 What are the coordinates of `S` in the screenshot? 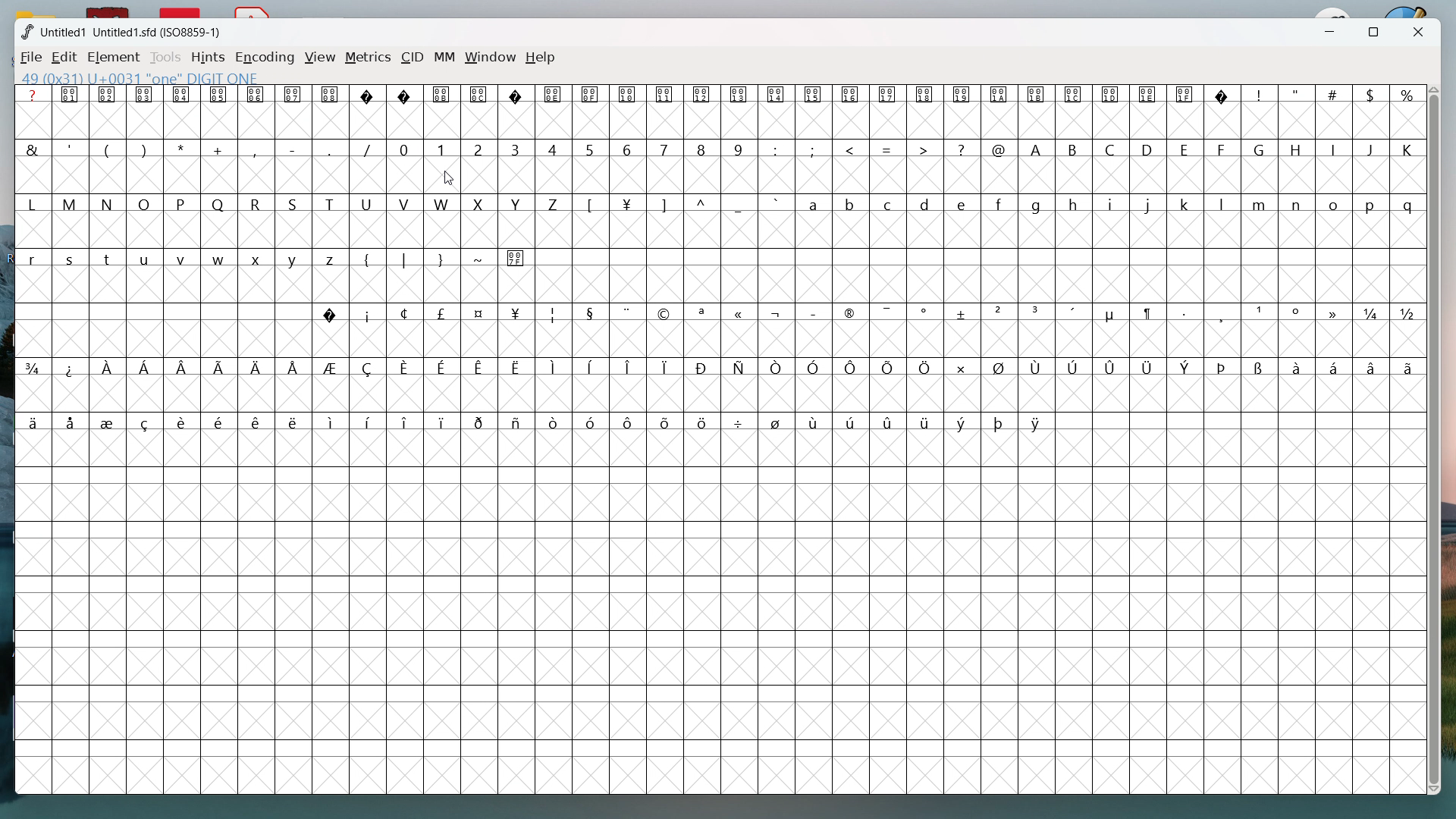 It's located at (294, 202).